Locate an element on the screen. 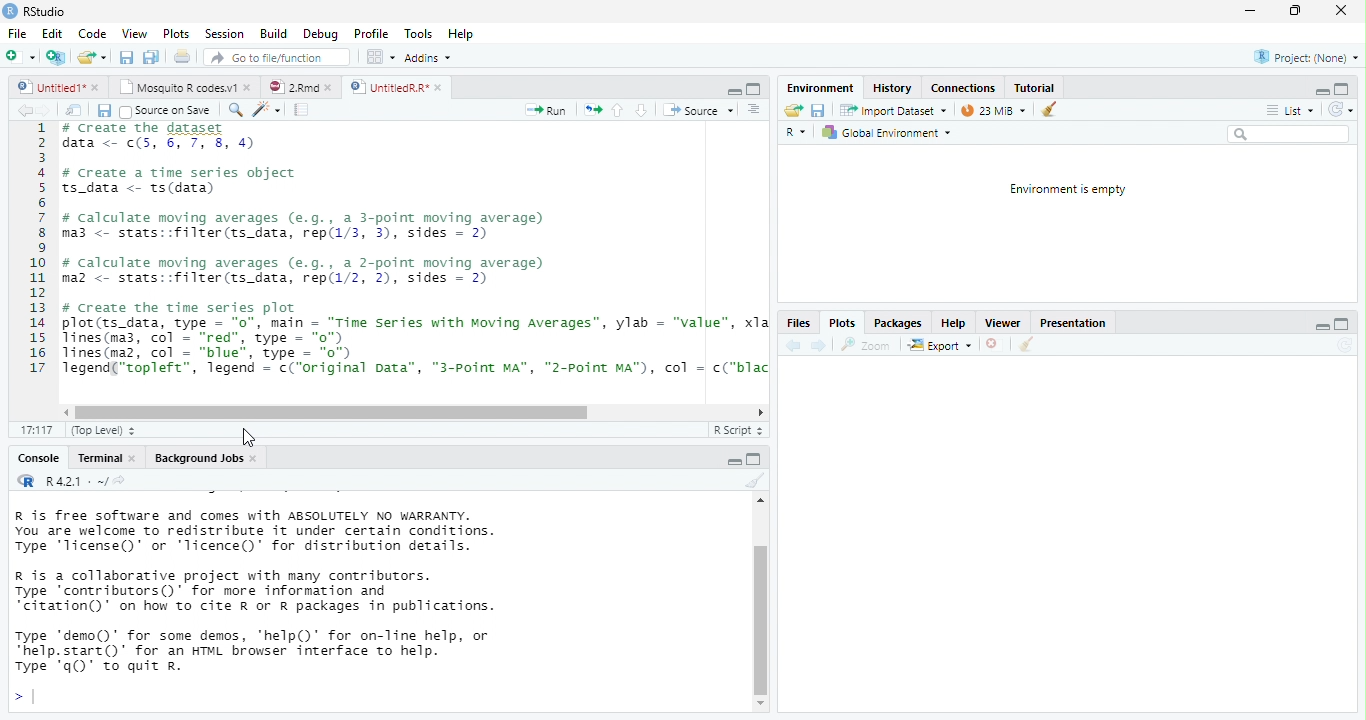  minimize is located at coordinates (1323, 329).